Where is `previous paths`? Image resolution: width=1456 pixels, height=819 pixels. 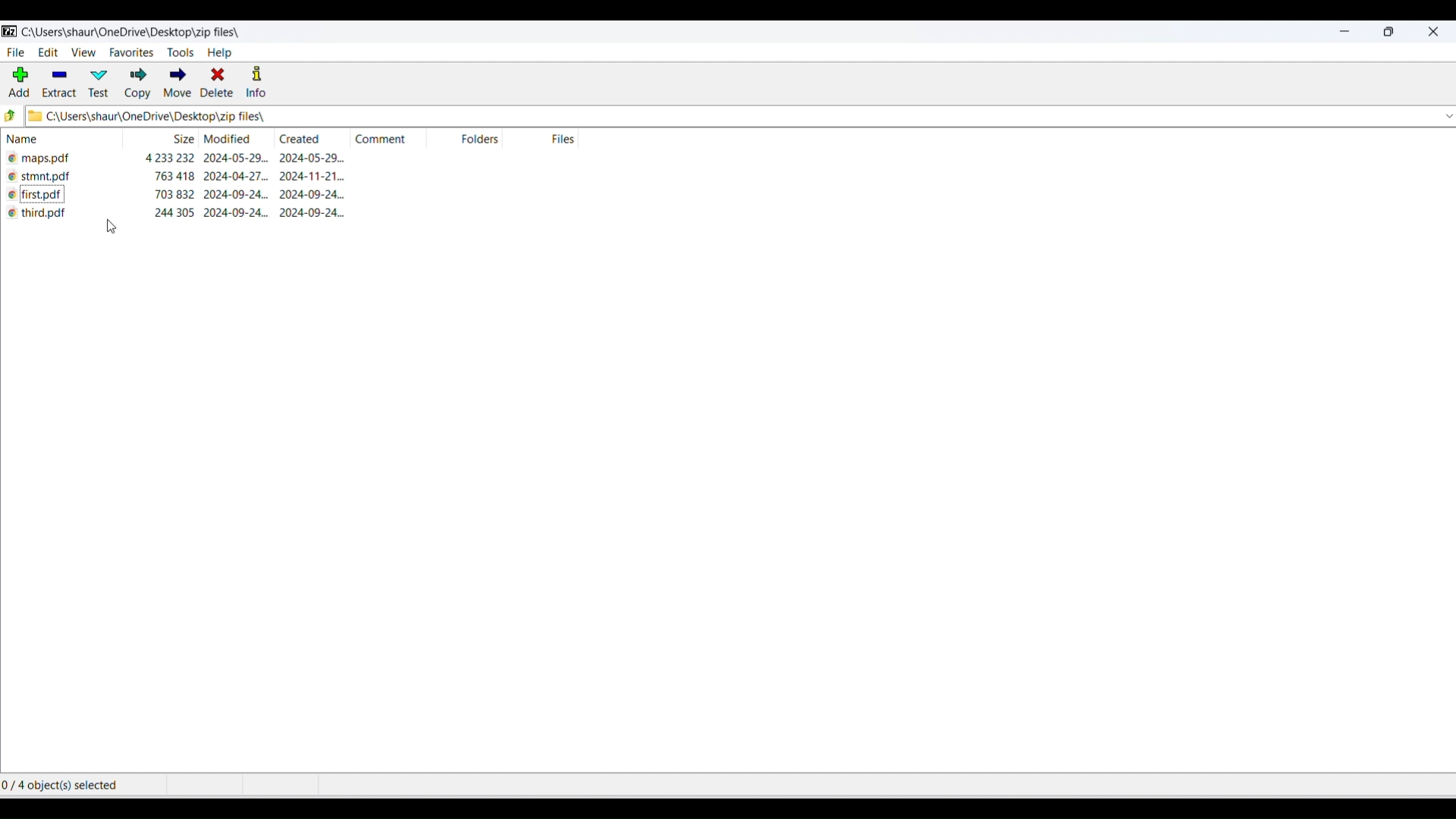 previous paths is located at coordinates (10, 116).